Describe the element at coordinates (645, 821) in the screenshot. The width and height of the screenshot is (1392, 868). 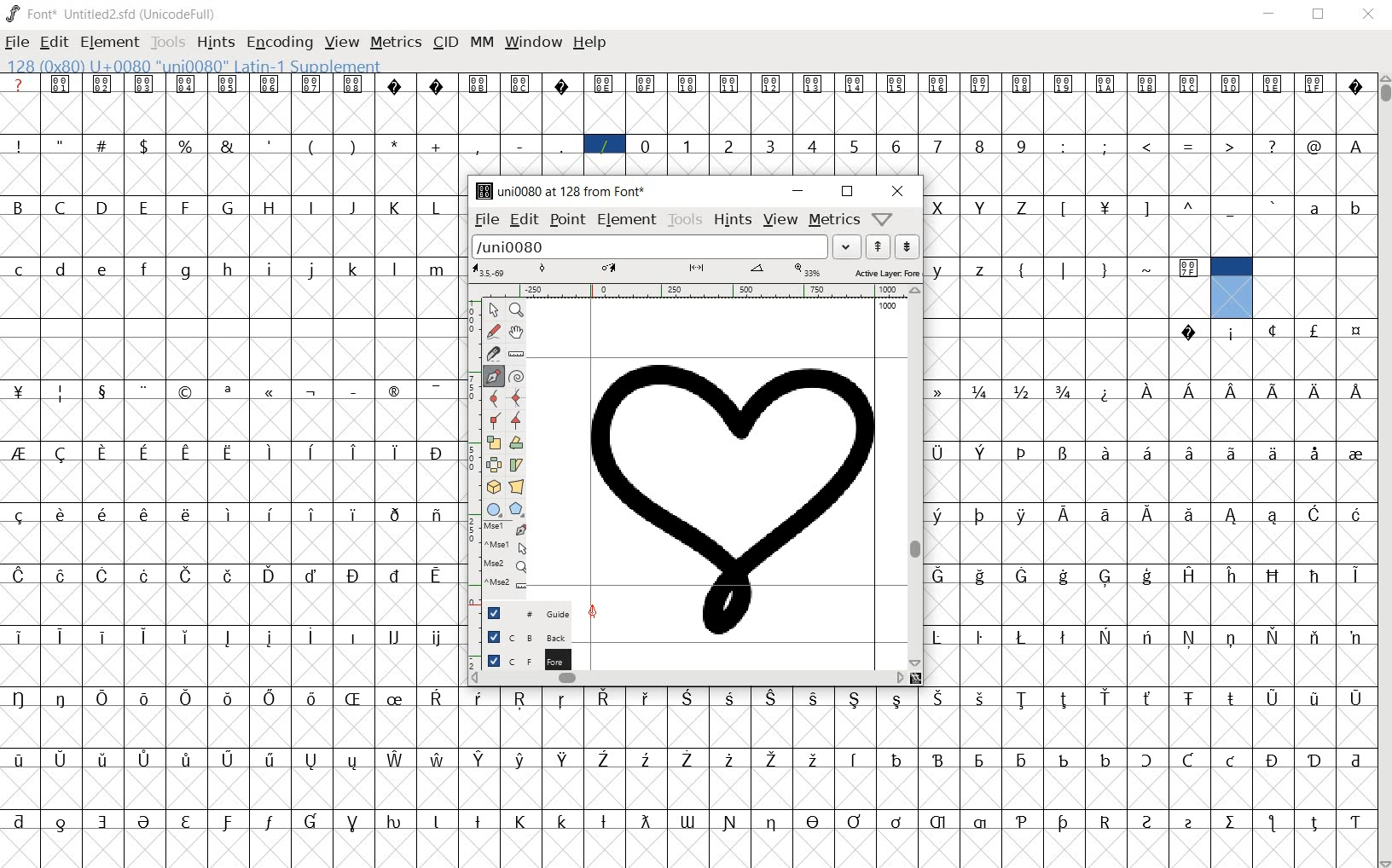
I see `glyph` at that location.